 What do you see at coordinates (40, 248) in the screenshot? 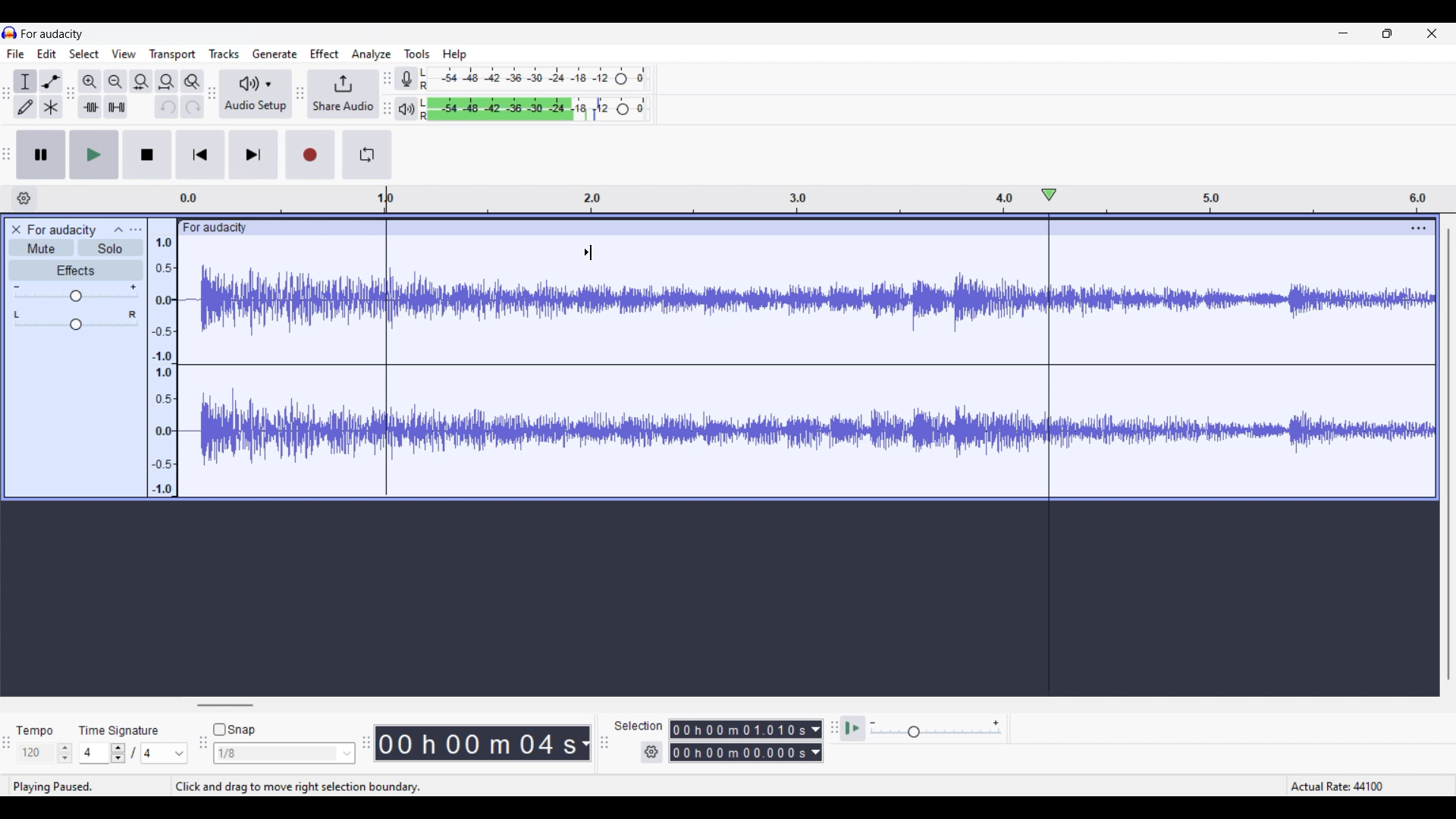
I see `Mute` at bounding box center [40, 248].